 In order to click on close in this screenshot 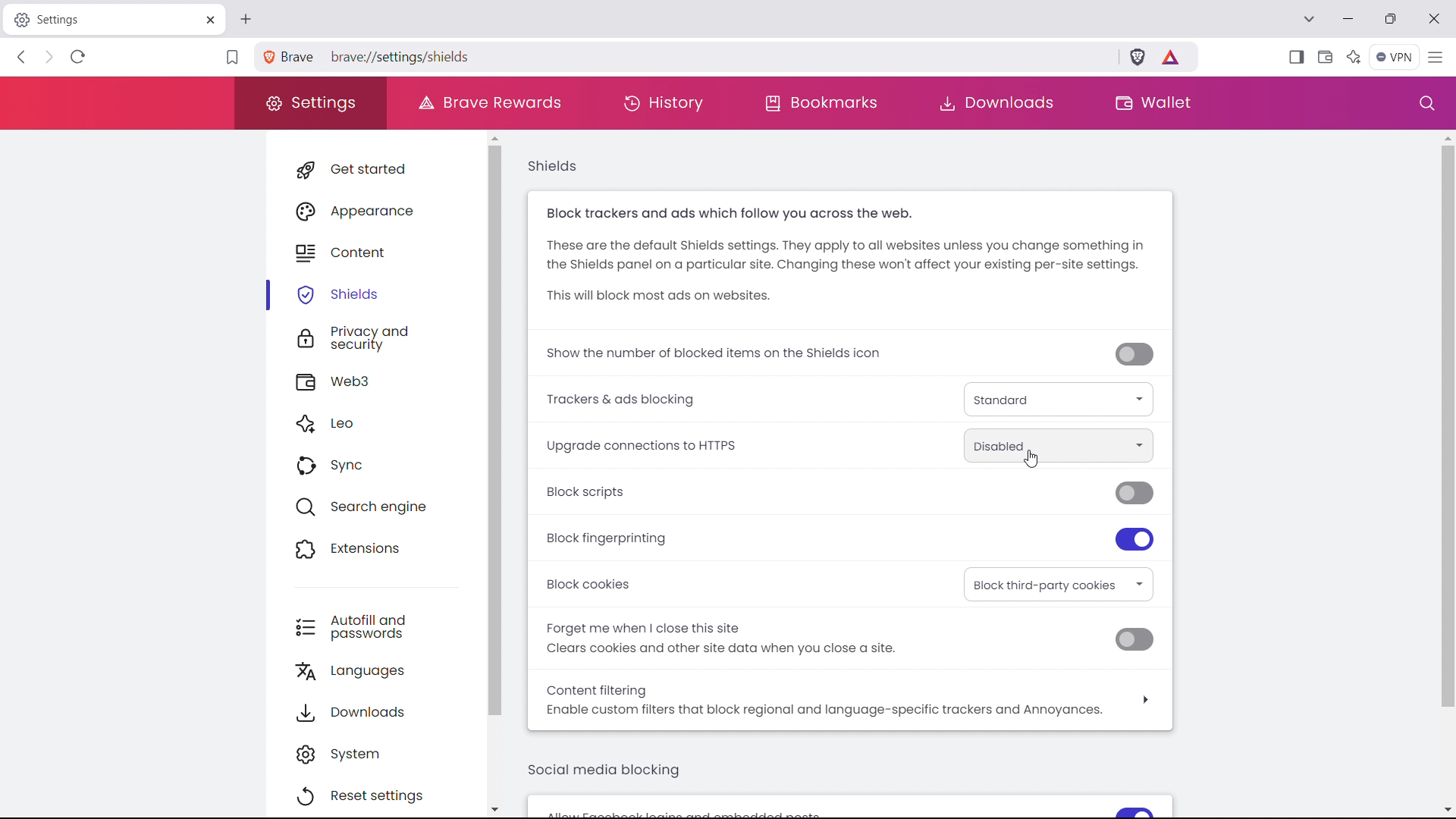, I will do `click(1432, 18)`.